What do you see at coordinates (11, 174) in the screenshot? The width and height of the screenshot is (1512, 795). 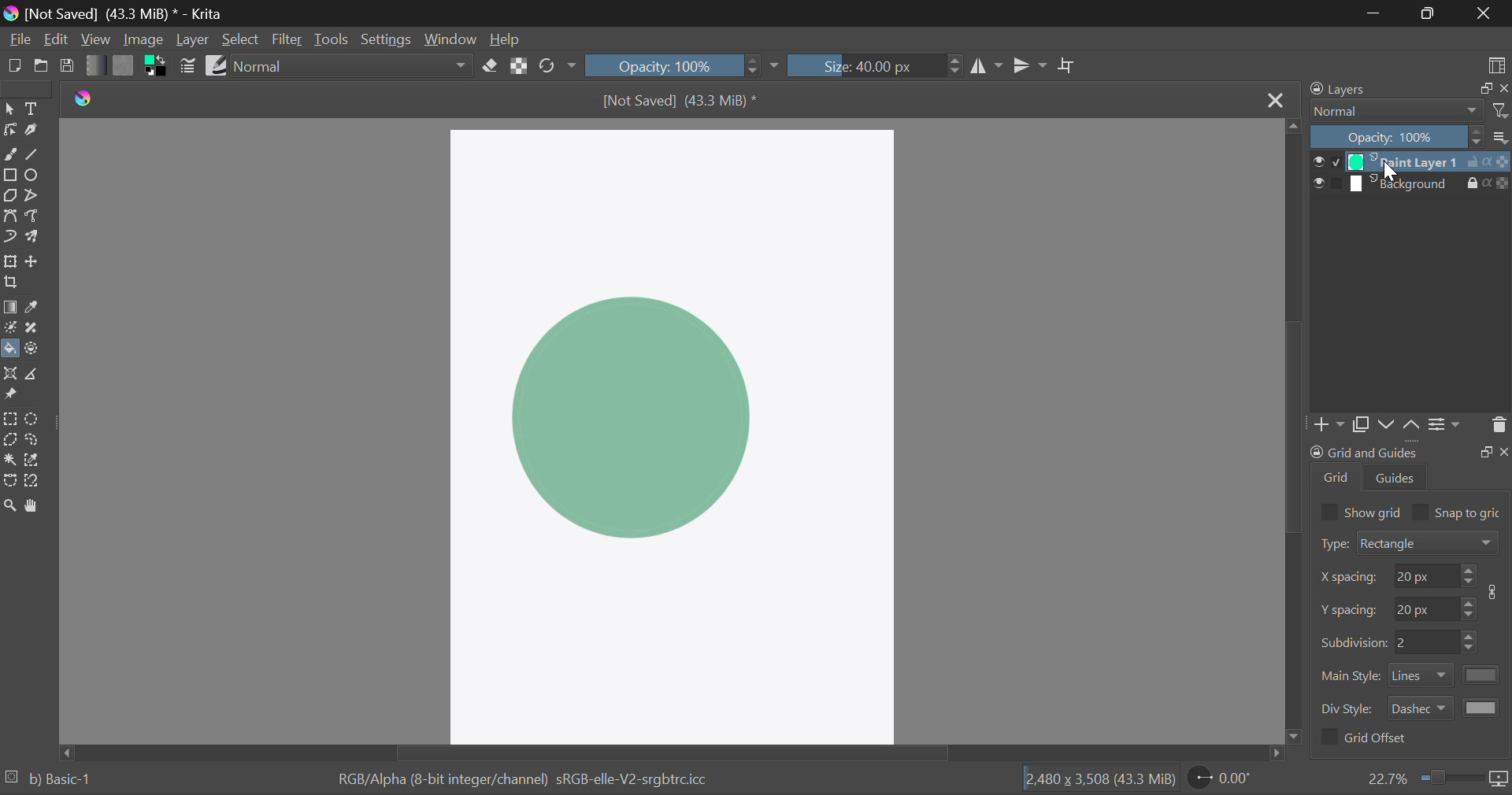 I see `Rectangle` at bounding box center [11, 174].